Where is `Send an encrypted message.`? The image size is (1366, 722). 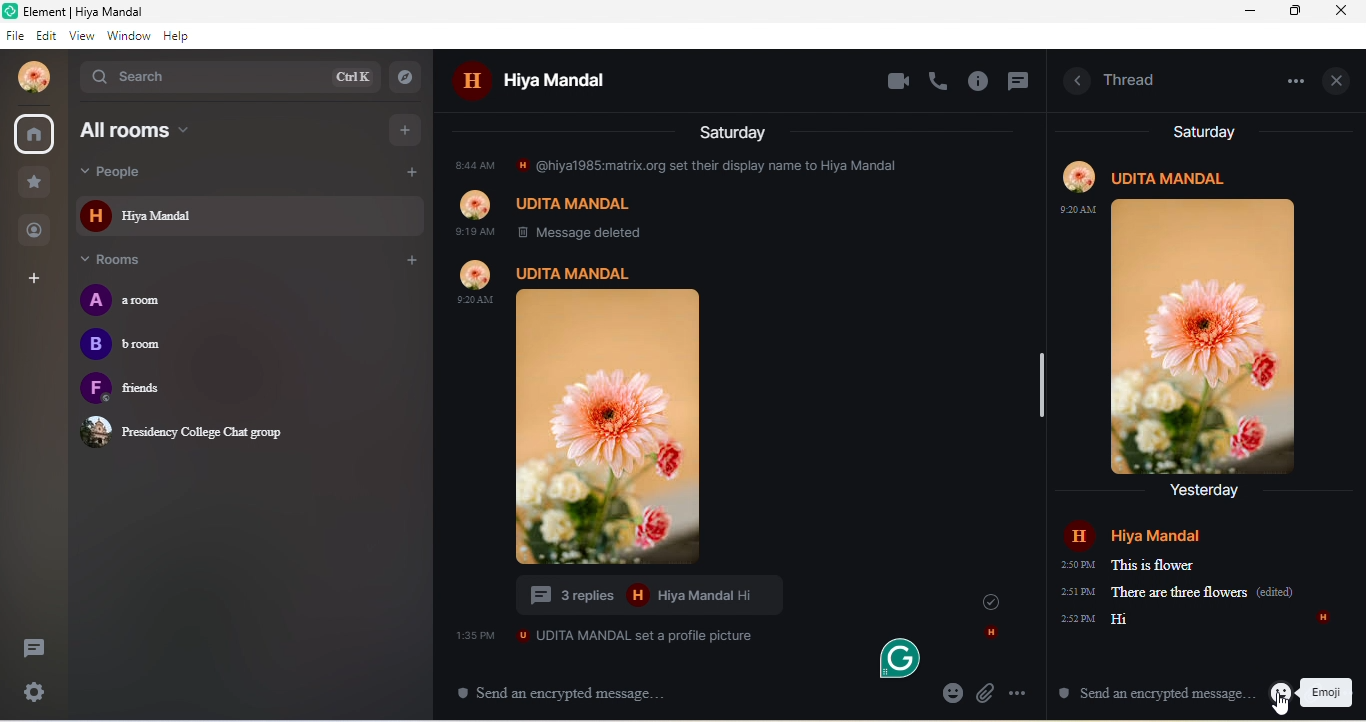
Send an encrypted message. is located at coordinates (561, 690).